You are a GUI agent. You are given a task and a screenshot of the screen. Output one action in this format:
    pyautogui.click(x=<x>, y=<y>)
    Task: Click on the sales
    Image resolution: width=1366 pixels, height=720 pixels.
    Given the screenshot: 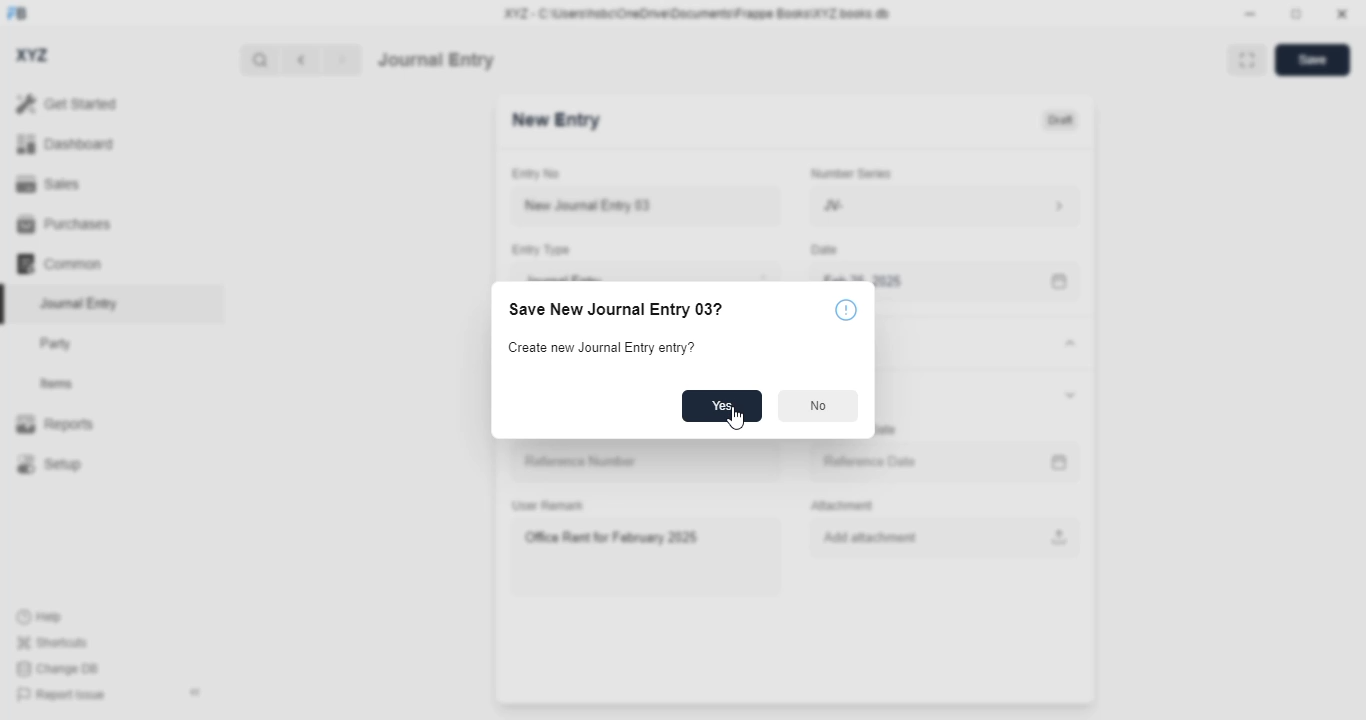 What is the action you would take?
    pyautogui.click(x=51, y=185)
    